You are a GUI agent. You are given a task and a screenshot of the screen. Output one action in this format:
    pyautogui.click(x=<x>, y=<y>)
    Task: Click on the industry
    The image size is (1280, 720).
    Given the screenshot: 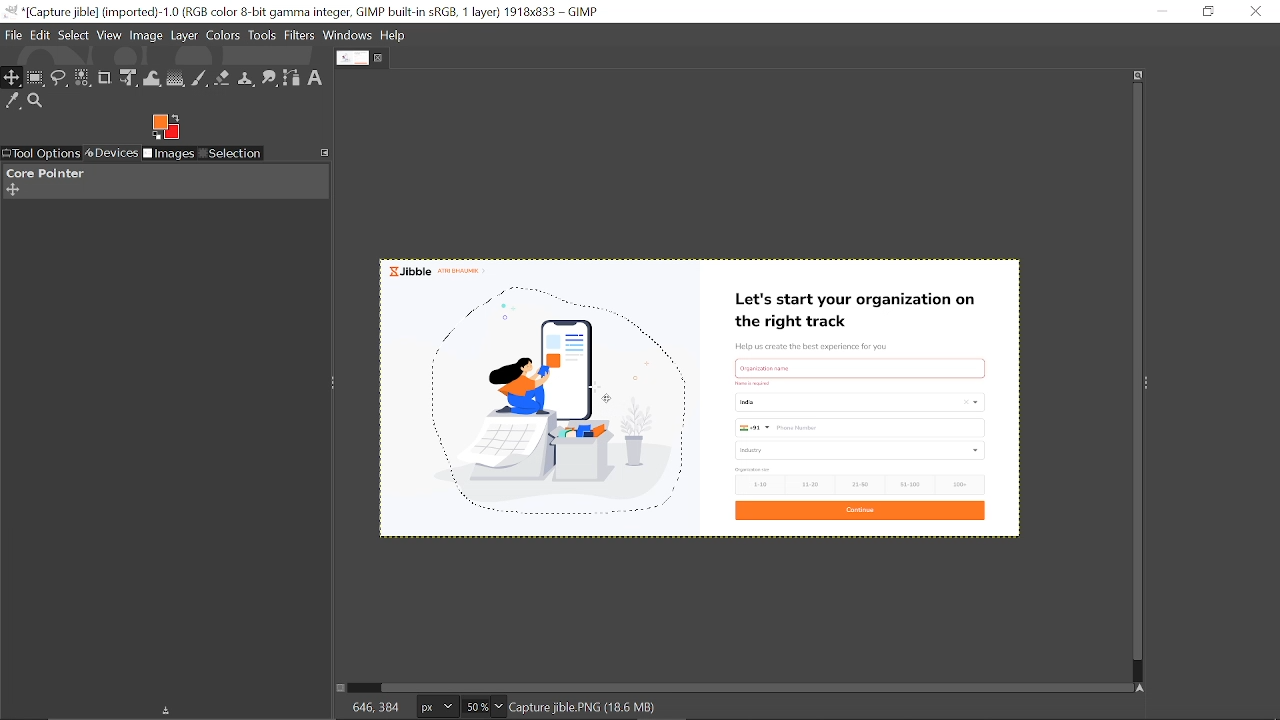 What is the action you would take?
    pyautogui.click(x=862, y=450)
    